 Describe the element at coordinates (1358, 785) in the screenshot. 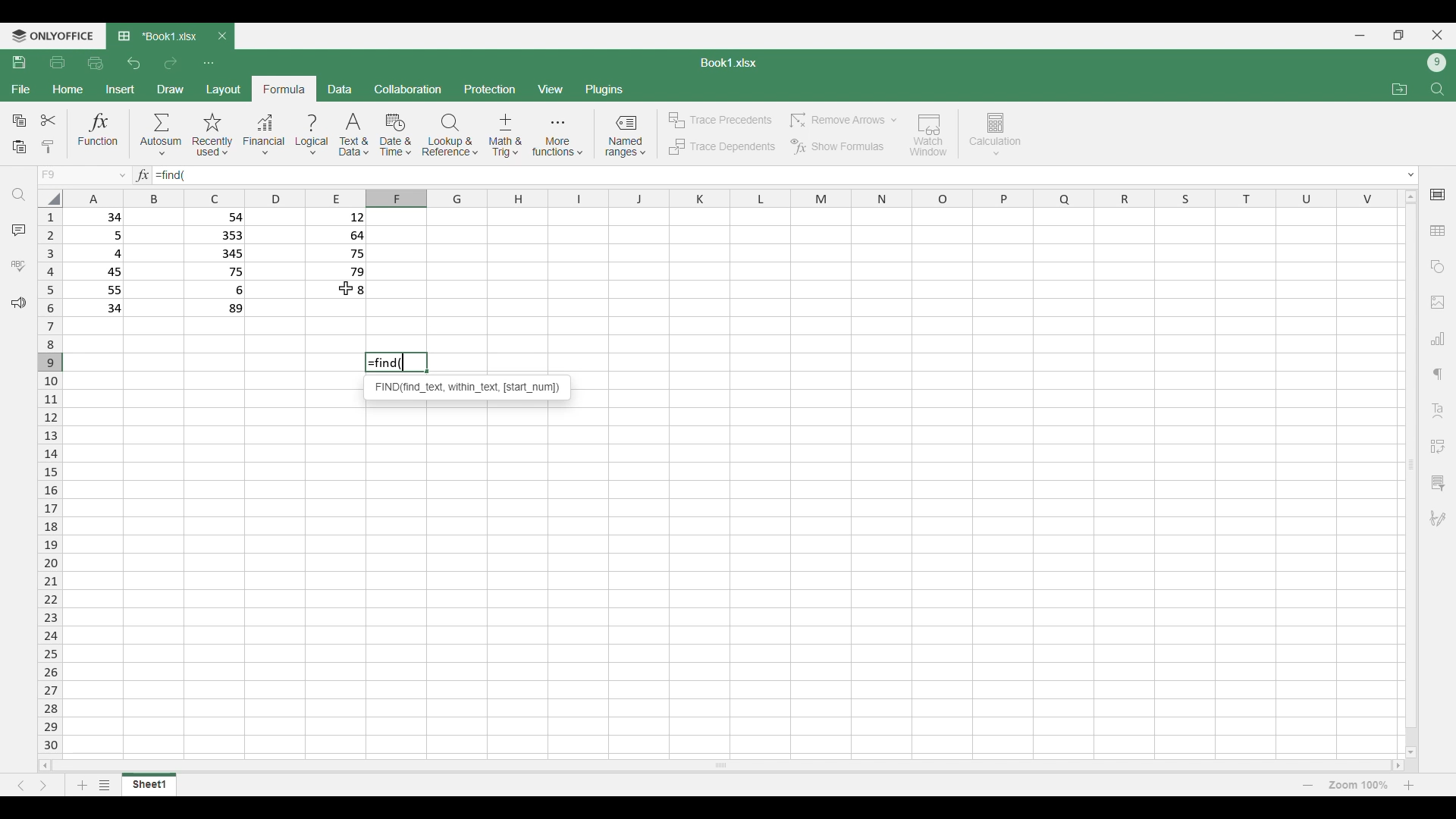

I see `Current zoom factor` at that location.